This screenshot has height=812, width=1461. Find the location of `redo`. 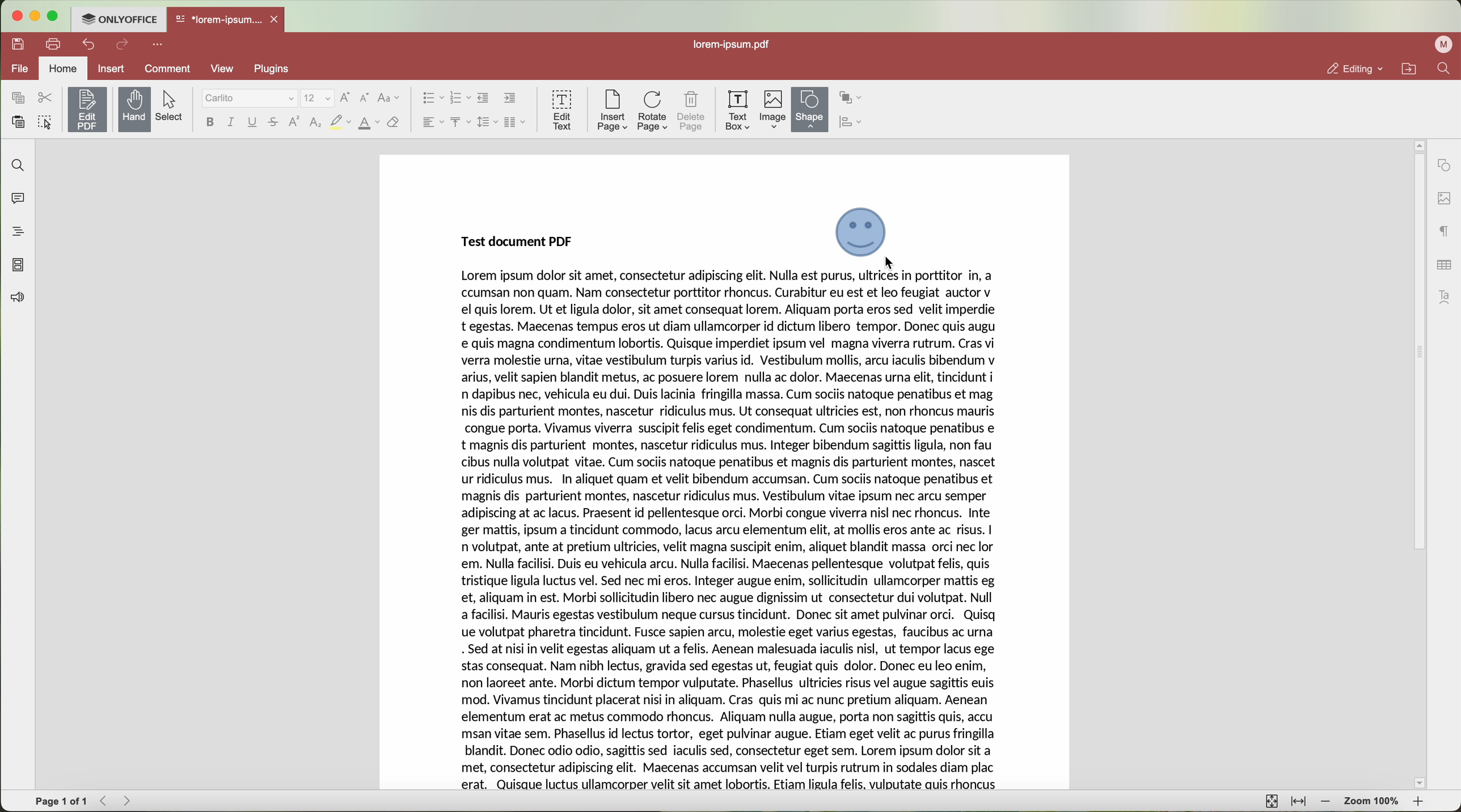

redo is located at coordinates (124, 46).